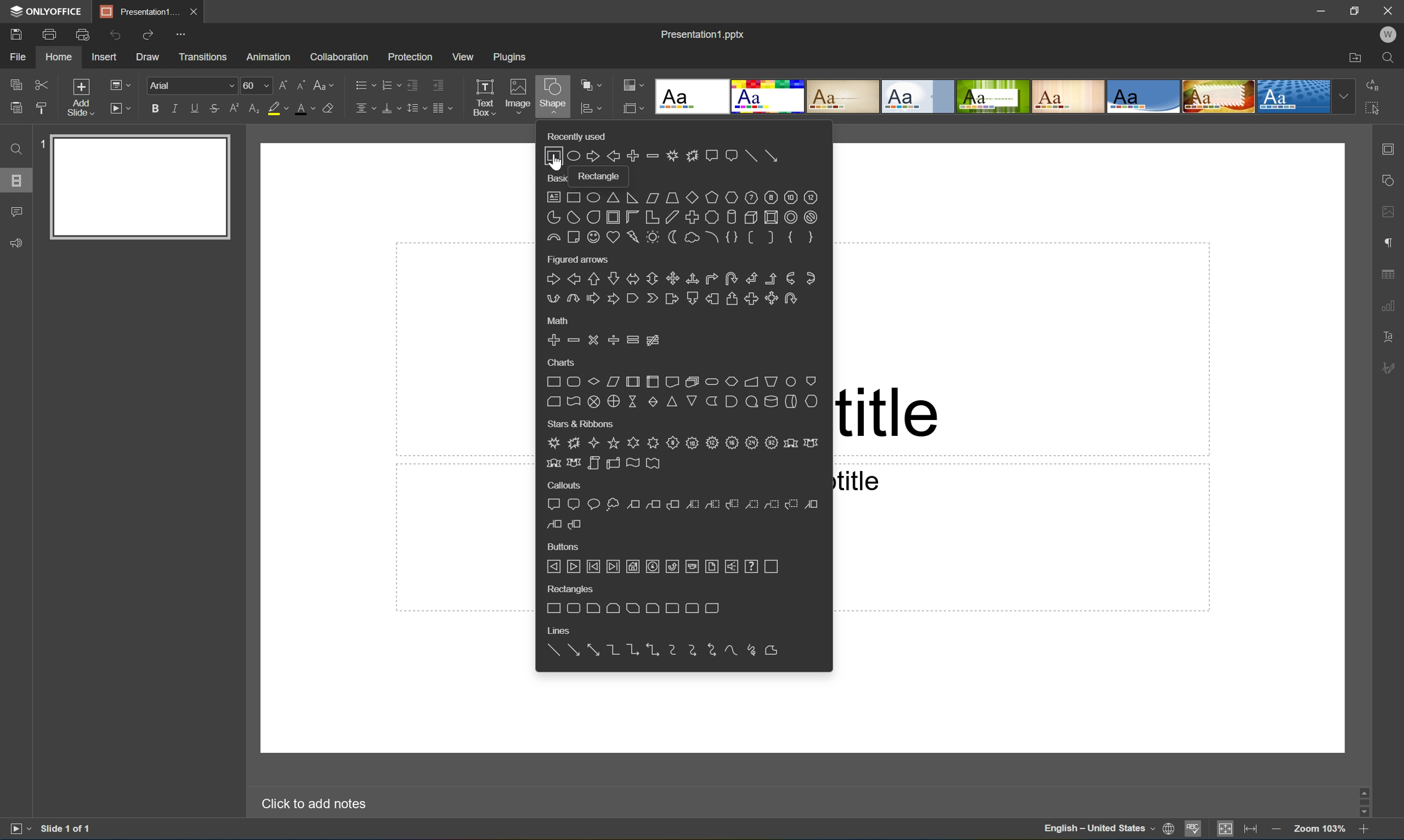 The image size is (1404, 840). Describe the element at coordinates (59, 58) in the screenshot. I see `Home` at that location.